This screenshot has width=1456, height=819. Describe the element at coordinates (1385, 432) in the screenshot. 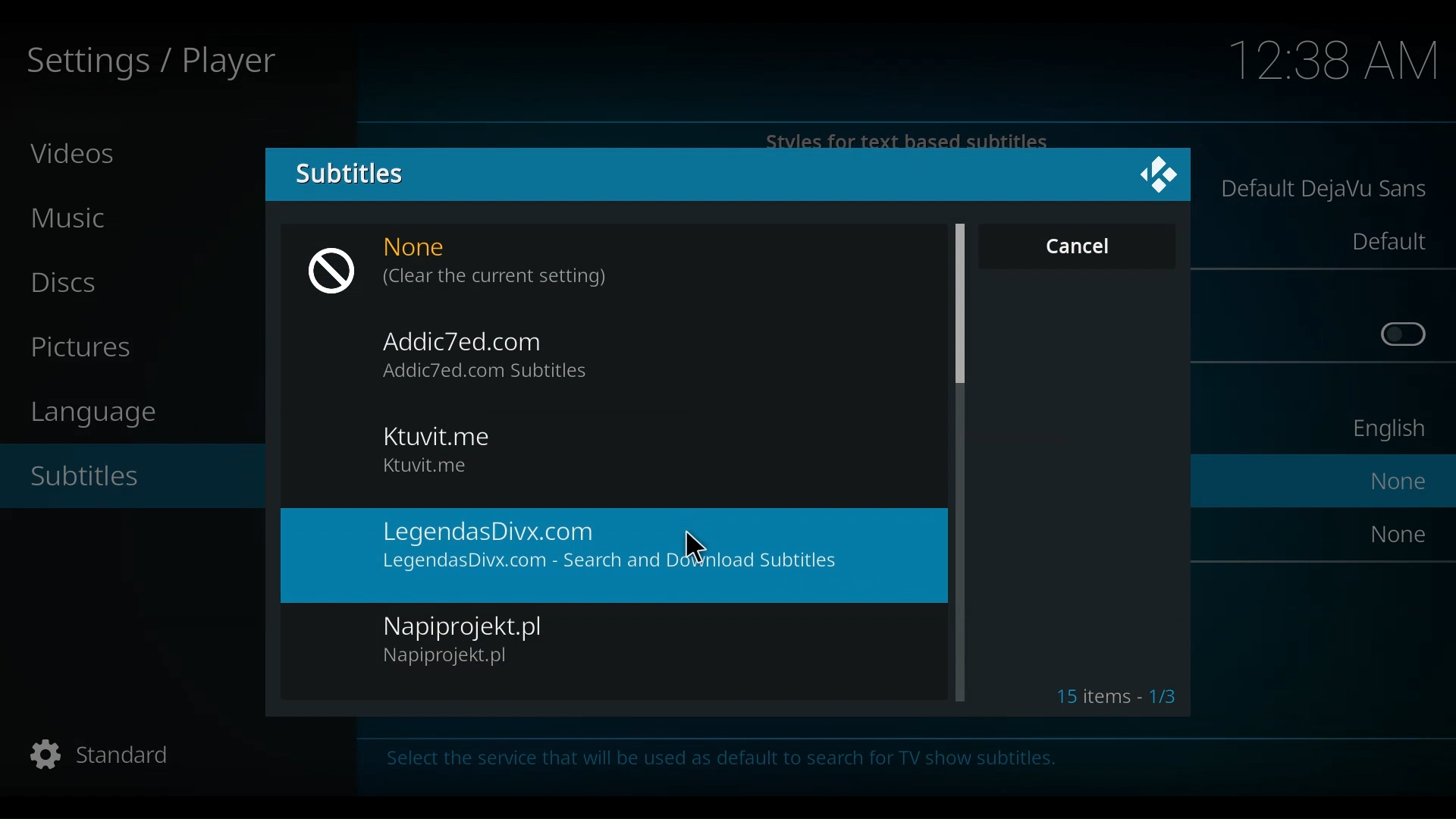

I see `English` at that location.